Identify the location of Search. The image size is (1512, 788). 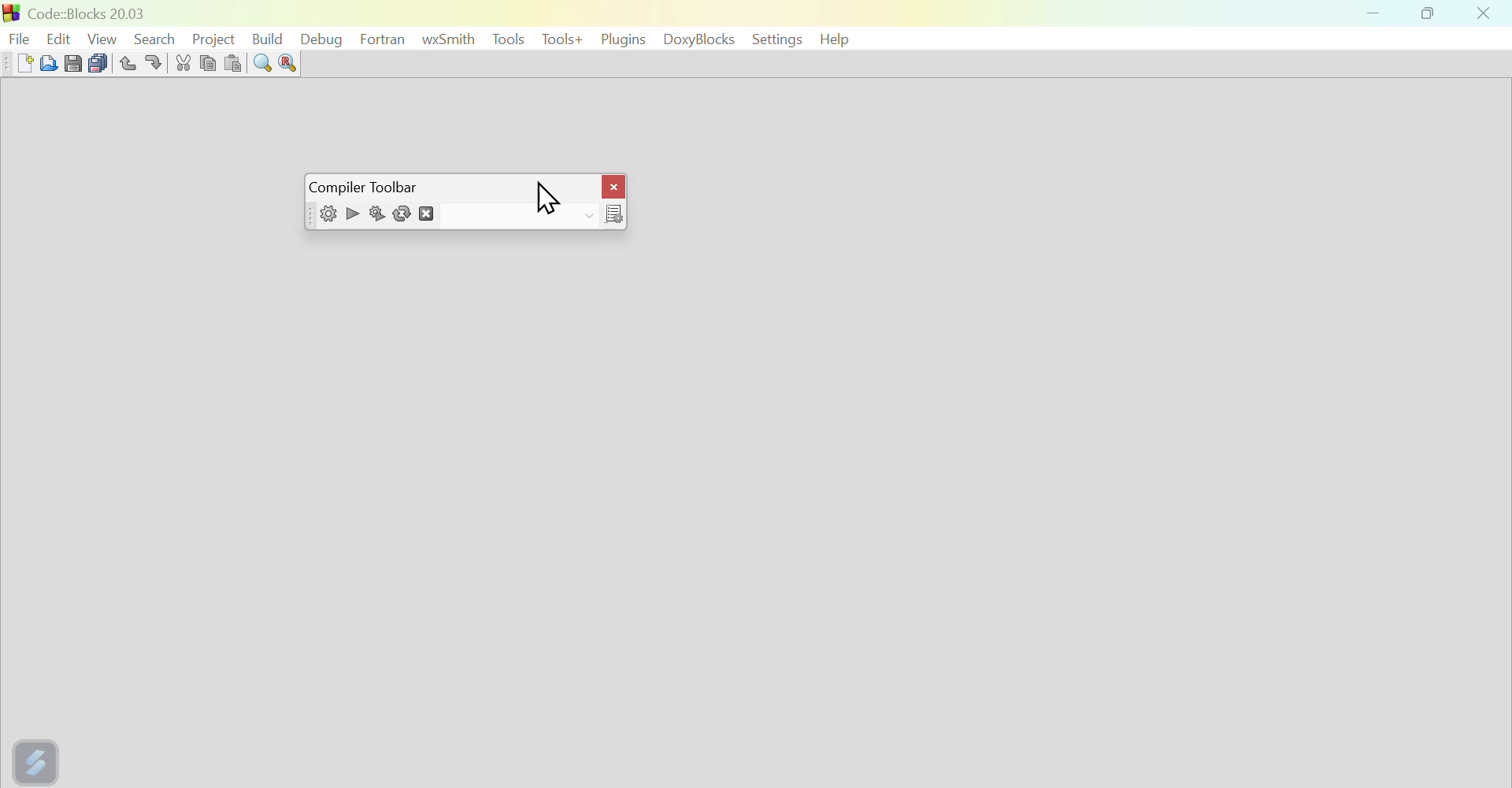
(154, 35).